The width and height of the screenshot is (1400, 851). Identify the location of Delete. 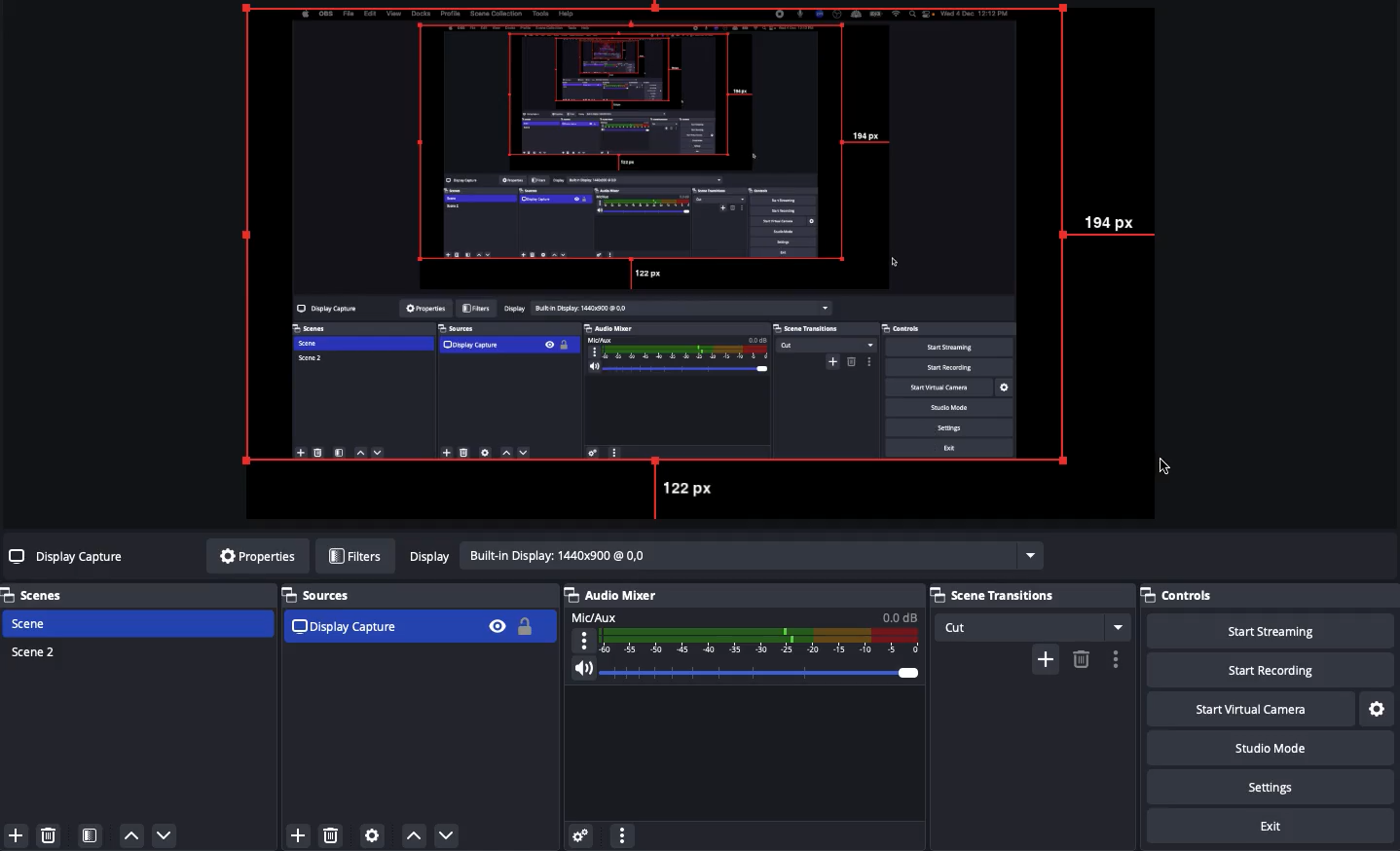
(1081, 659).